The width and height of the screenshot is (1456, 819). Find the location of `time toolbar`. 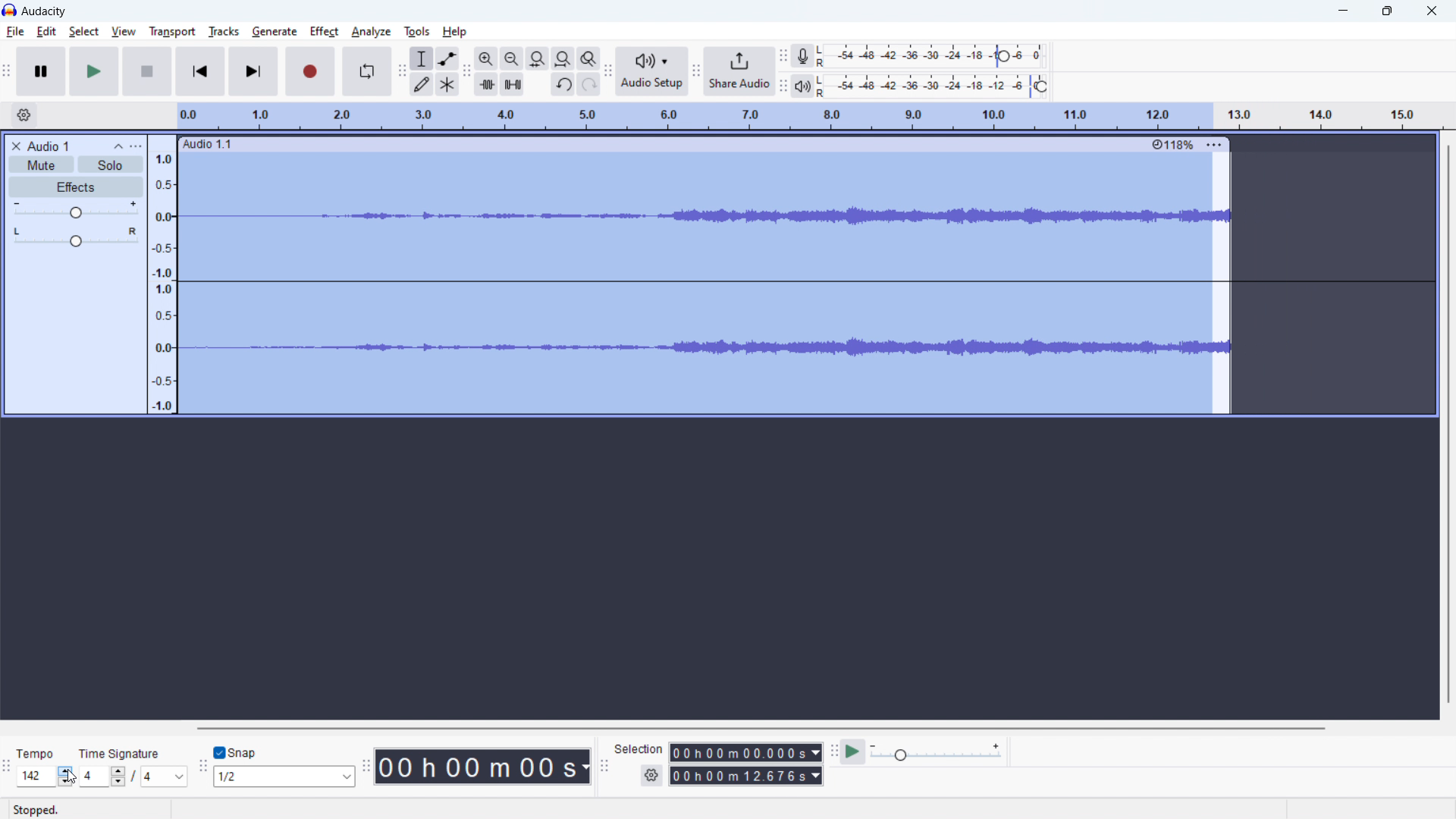

time toolbar is located at coordinates (369, 765).